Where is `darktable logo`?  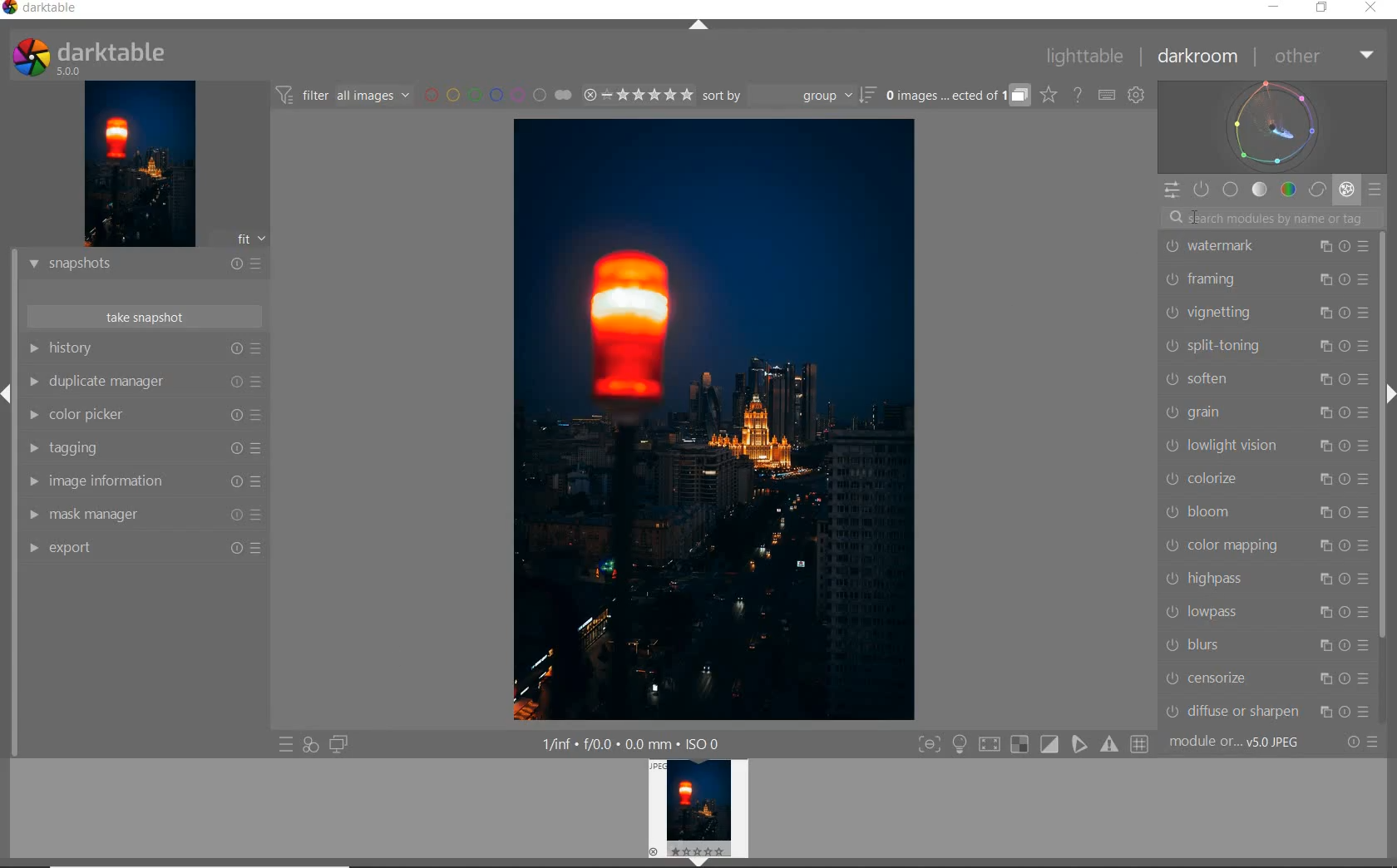
darktable logo is located at coordinates (27, 57).